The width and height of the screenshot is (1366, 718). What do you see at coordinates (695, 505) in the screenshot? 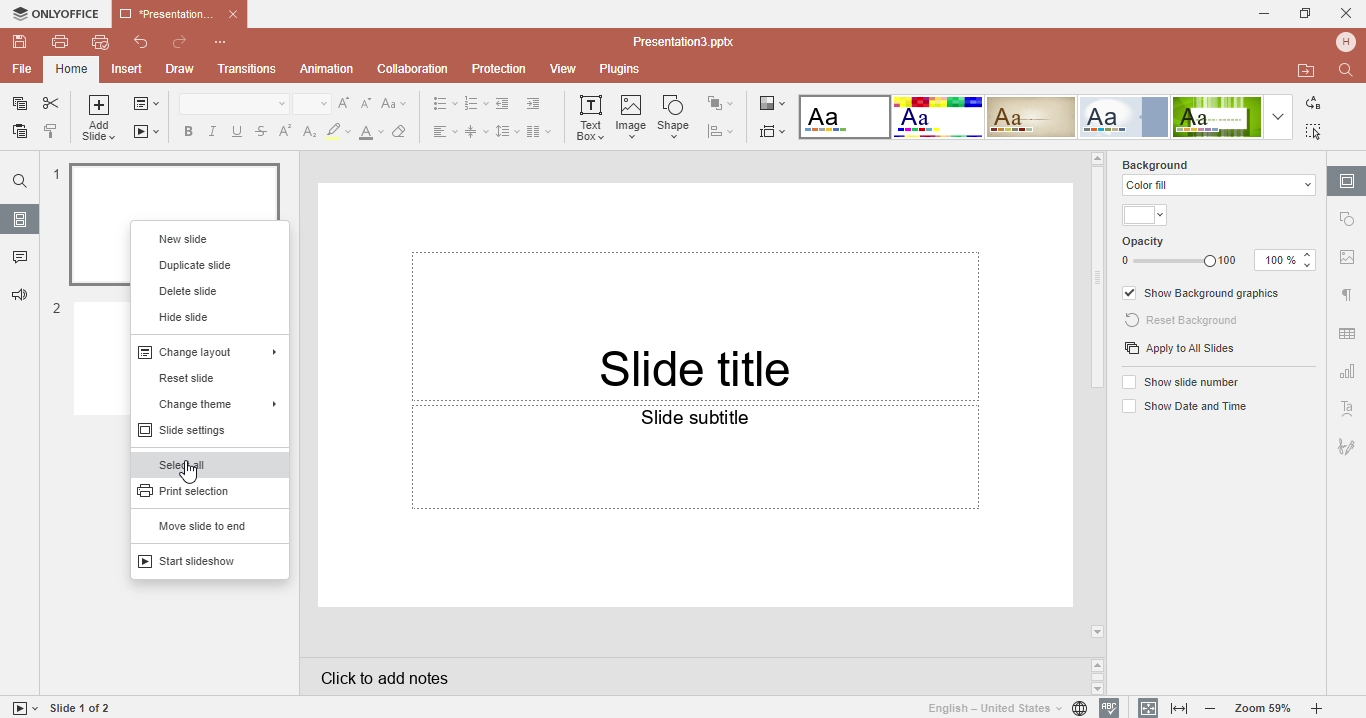
I see `Slide subtittle` at bounding box center [695, 505].